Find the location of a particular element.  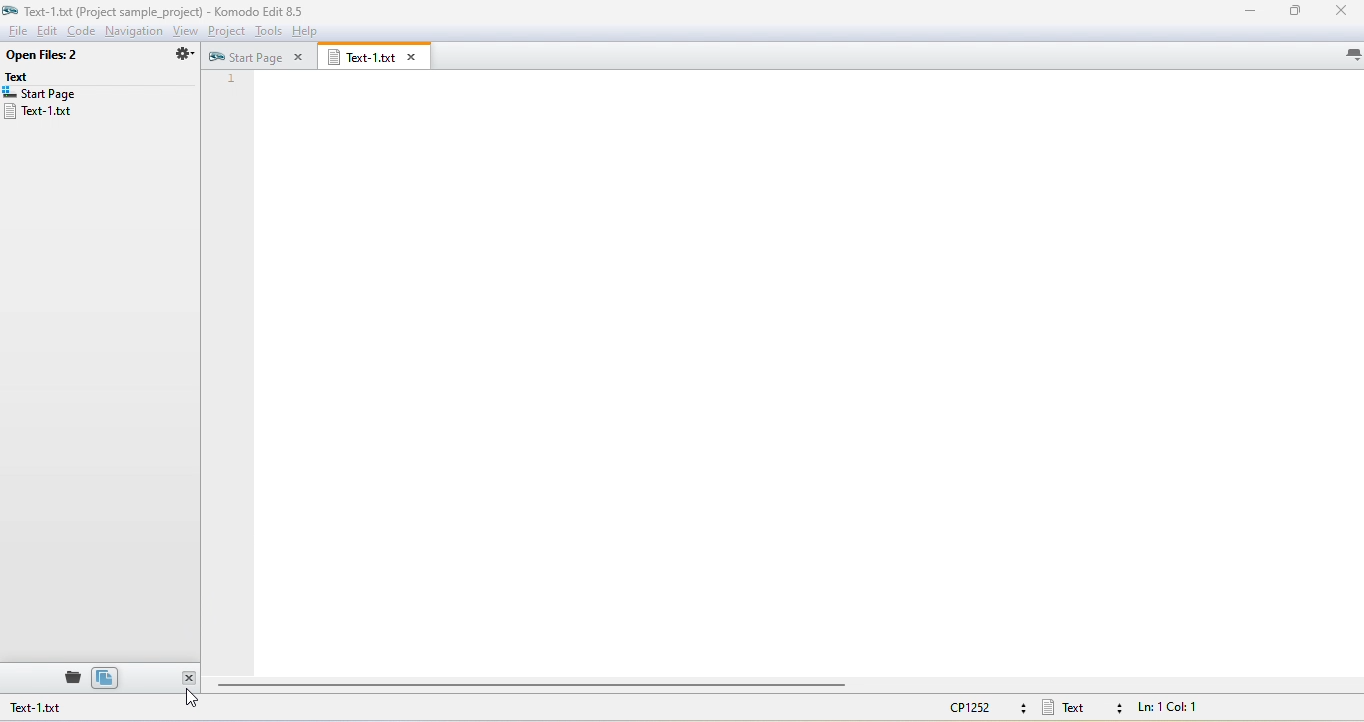

text-1.txt is located at coordinates (70, 709).